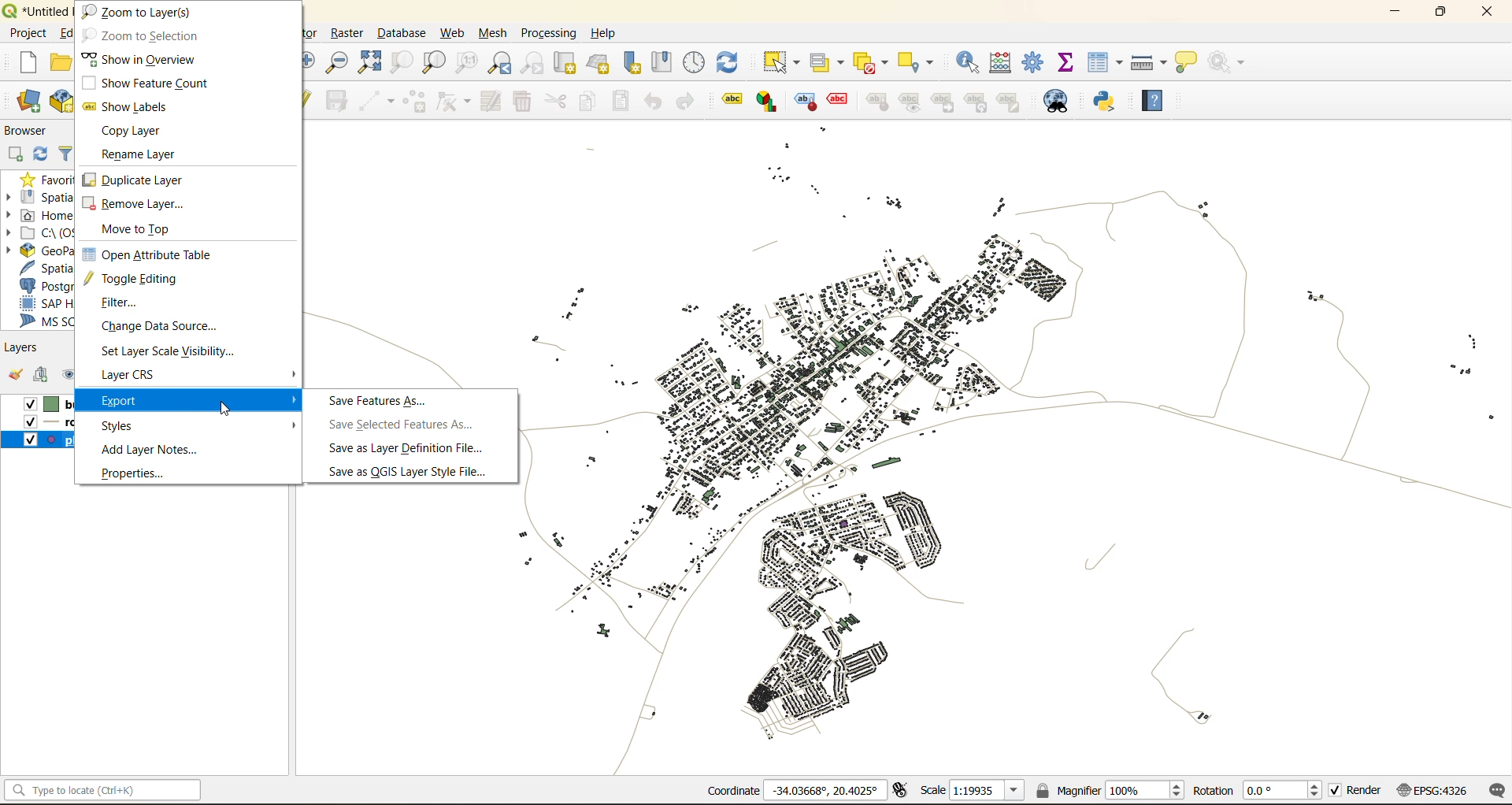 This screenshot has height=805, width=1512. What do you see at coordinates (341, 61) in the screenshot?
I see `zoom out` at bounding box center [341, 61].